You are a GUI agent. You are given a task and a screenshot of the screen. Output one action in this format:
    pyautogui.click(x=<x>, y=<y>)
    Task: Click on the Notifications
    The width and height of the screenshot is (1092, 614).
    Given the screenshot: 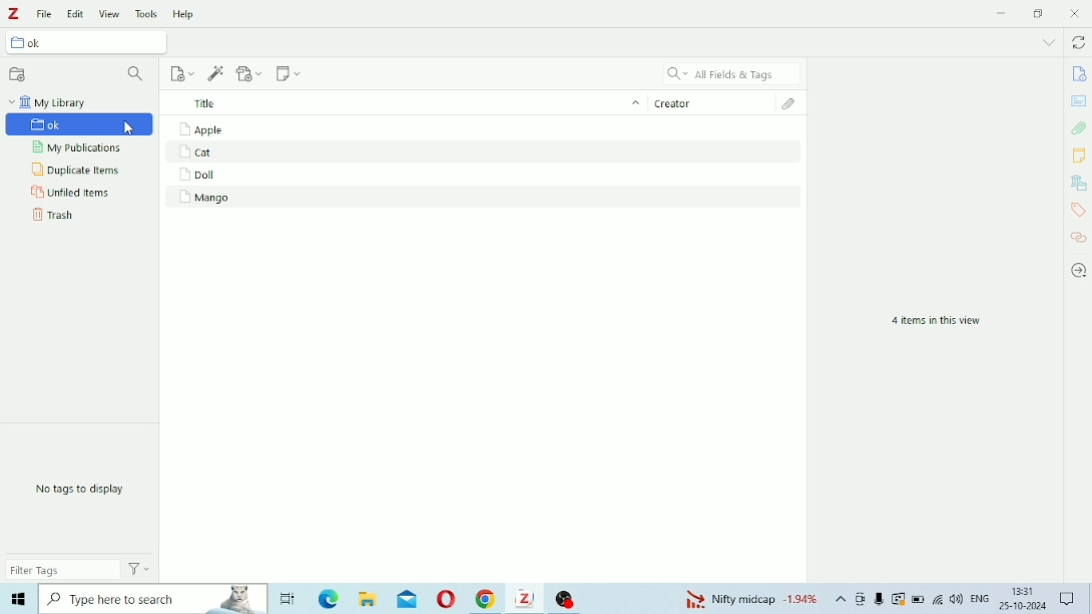 What is the action you would take?
    pyautogui.click(x=1067, y=596)
    